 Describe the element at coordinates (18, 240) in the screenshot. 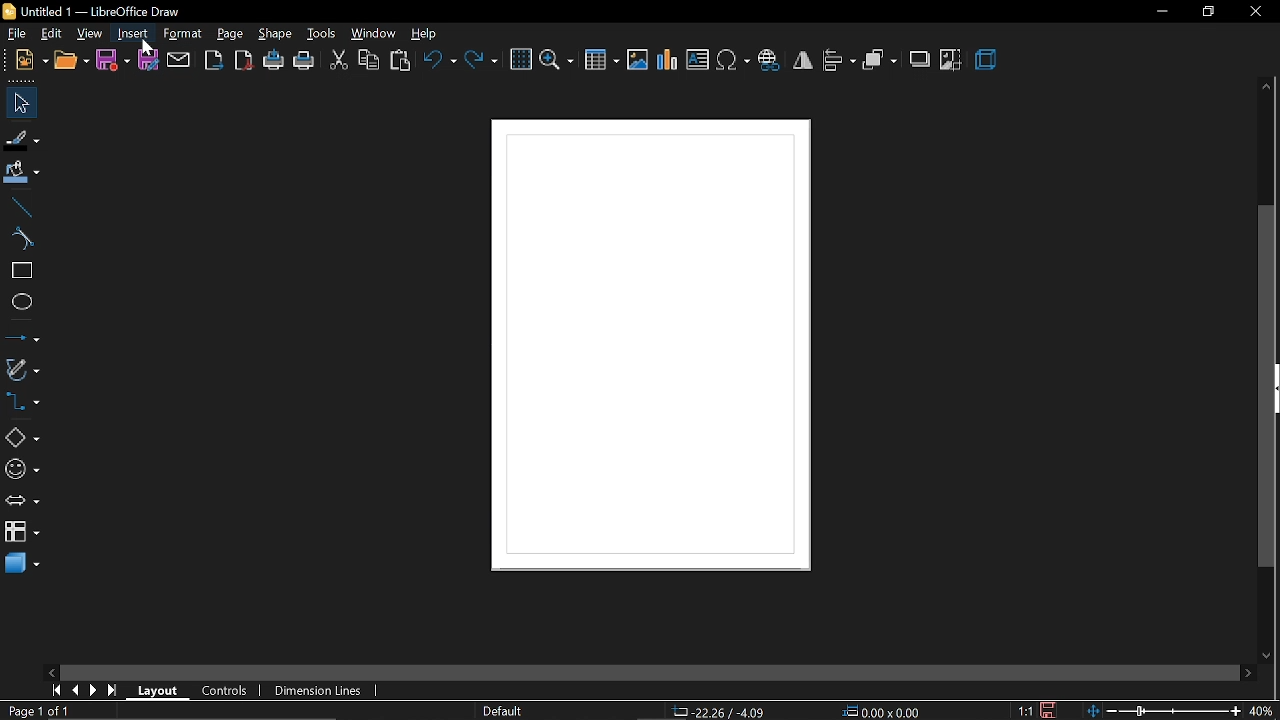

I see `curve` at that location.